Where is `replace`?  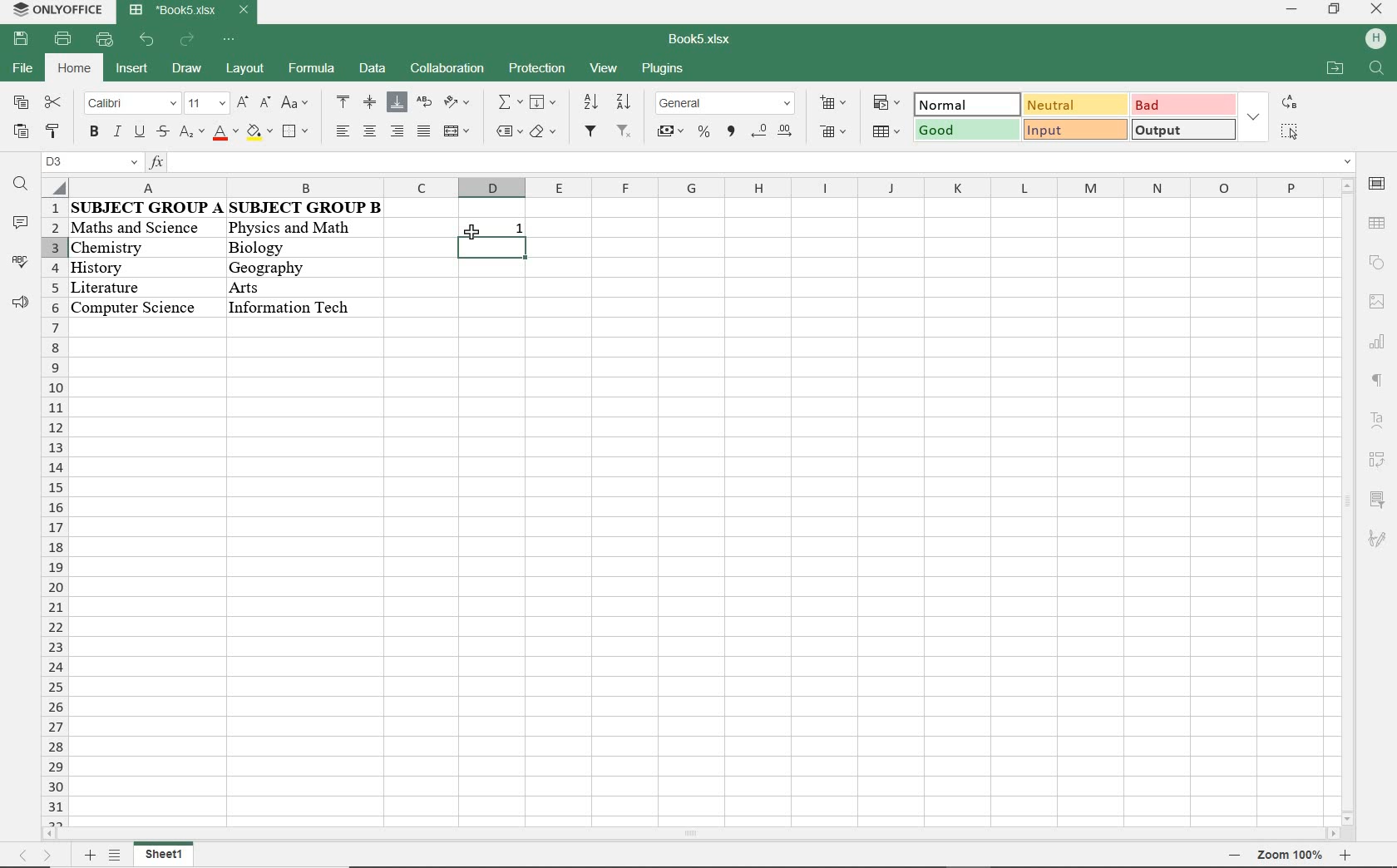 replace is located at coordinates (1290, 101).